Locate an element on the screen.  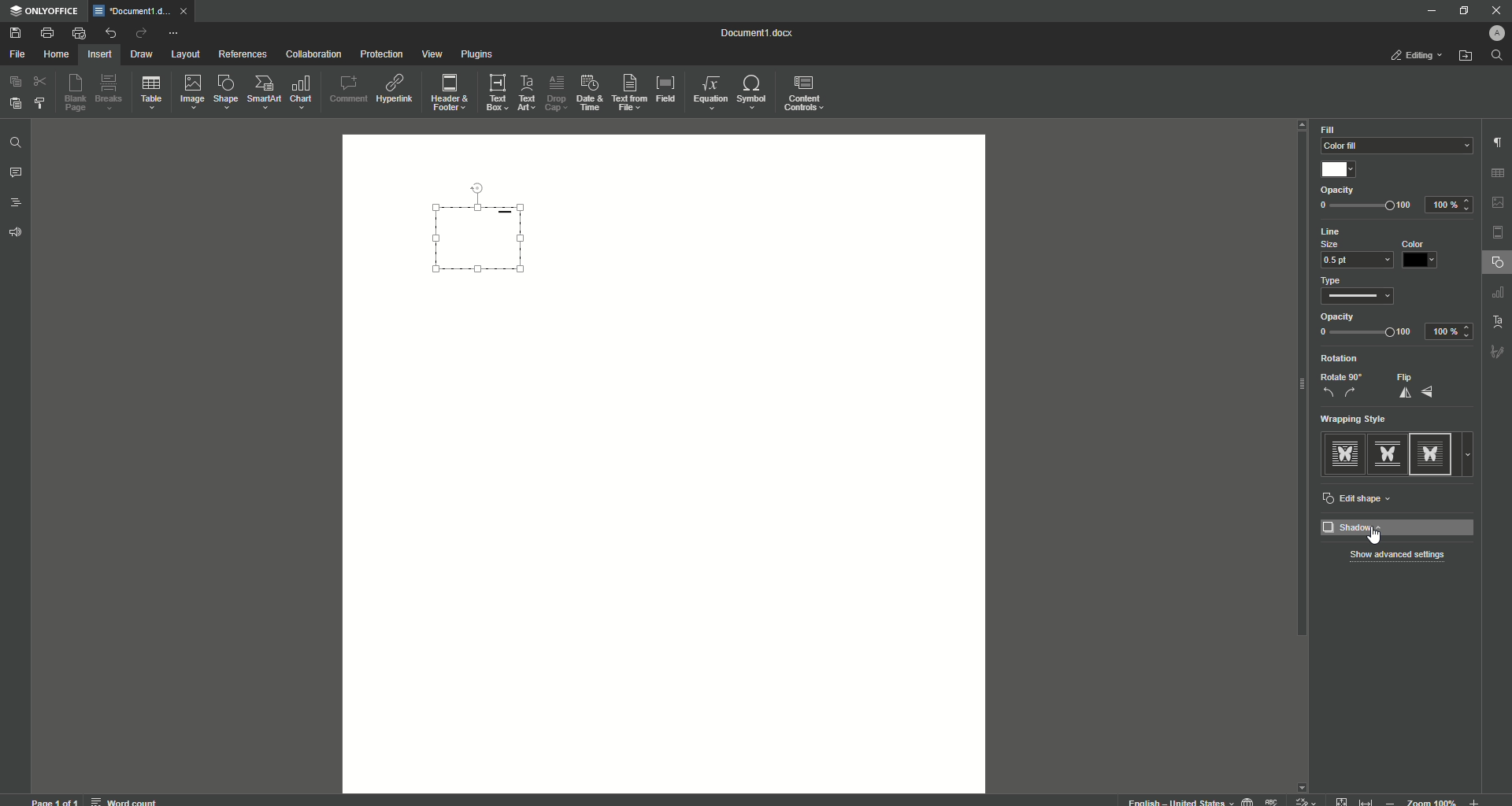
Text Box is located at coordinates (492, 92).